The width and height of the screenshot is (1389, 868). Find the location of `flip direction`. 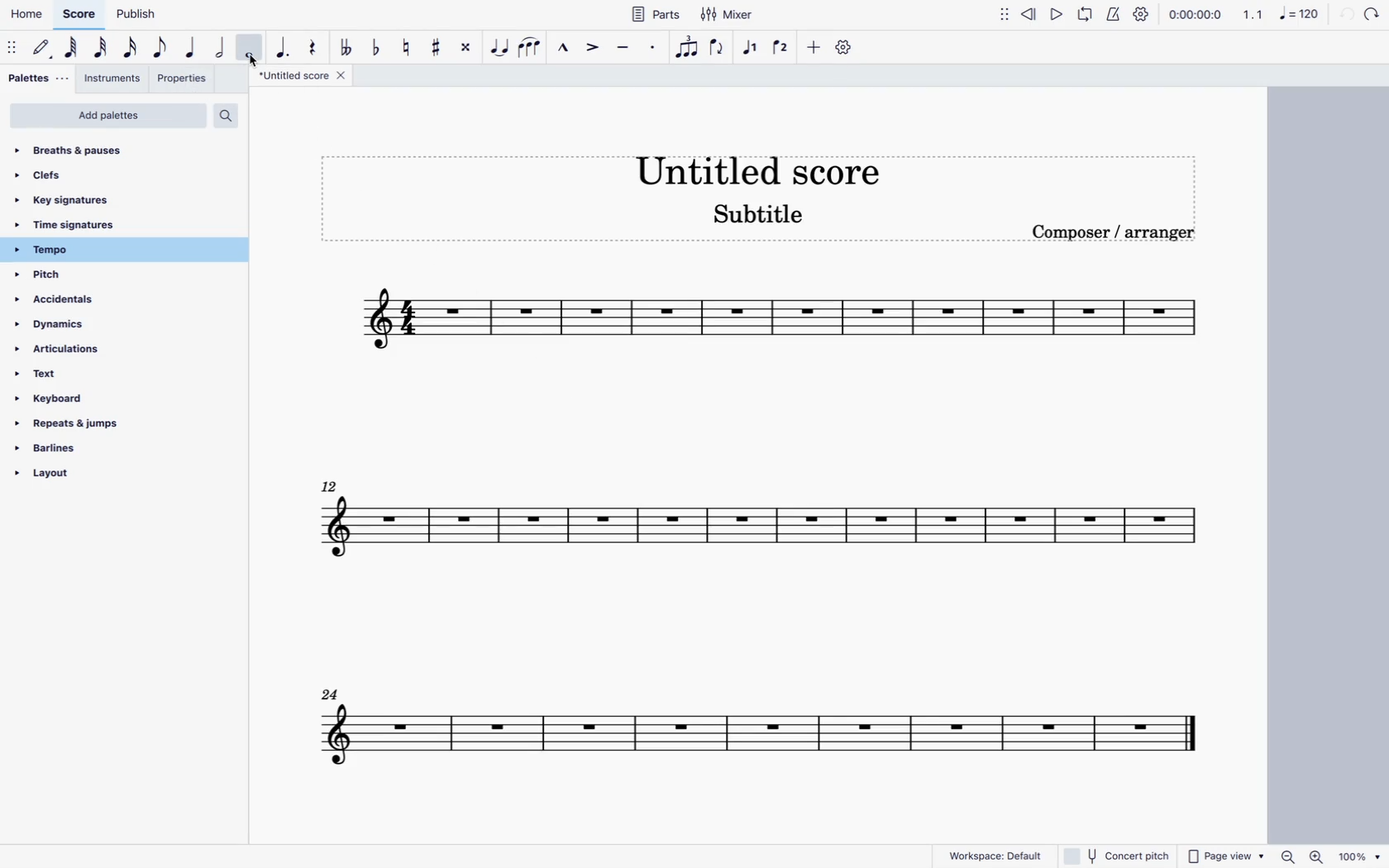

flip direction is located at coordinates (718, 47).